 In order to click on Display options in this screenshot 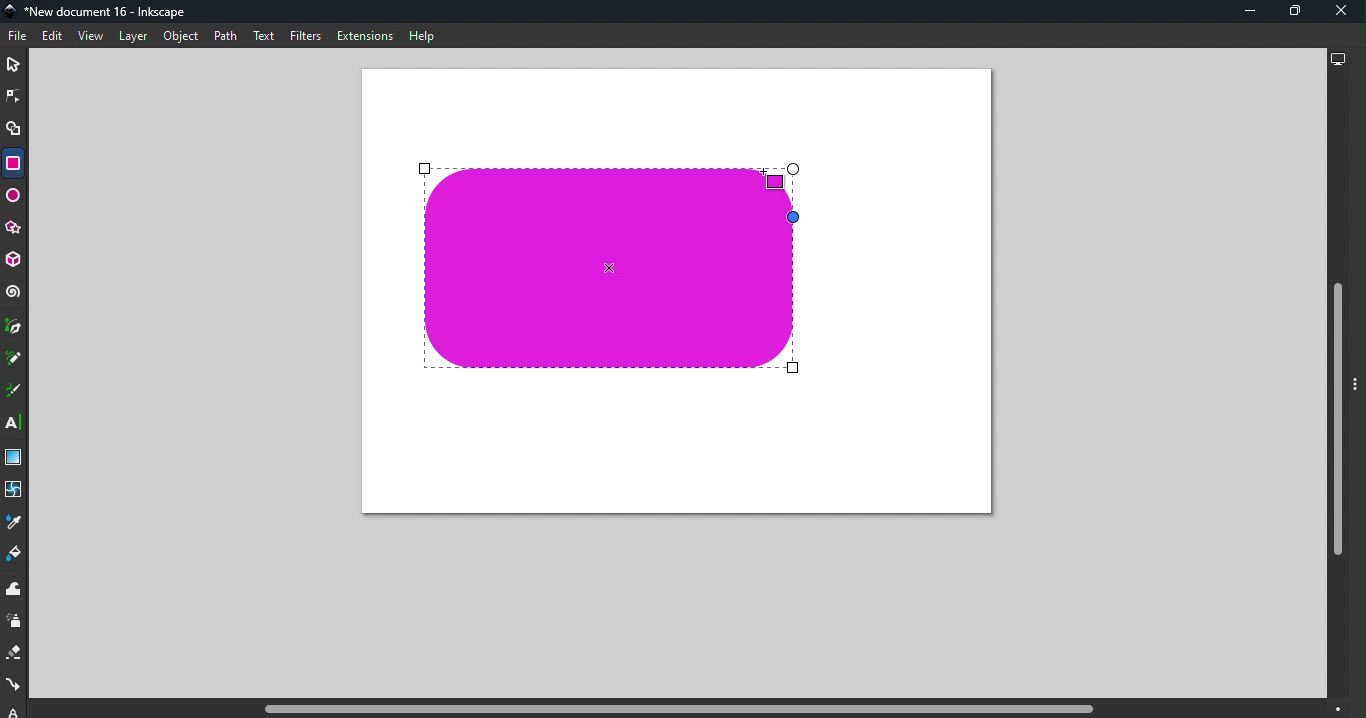, I will do `click(1336, 57)`.